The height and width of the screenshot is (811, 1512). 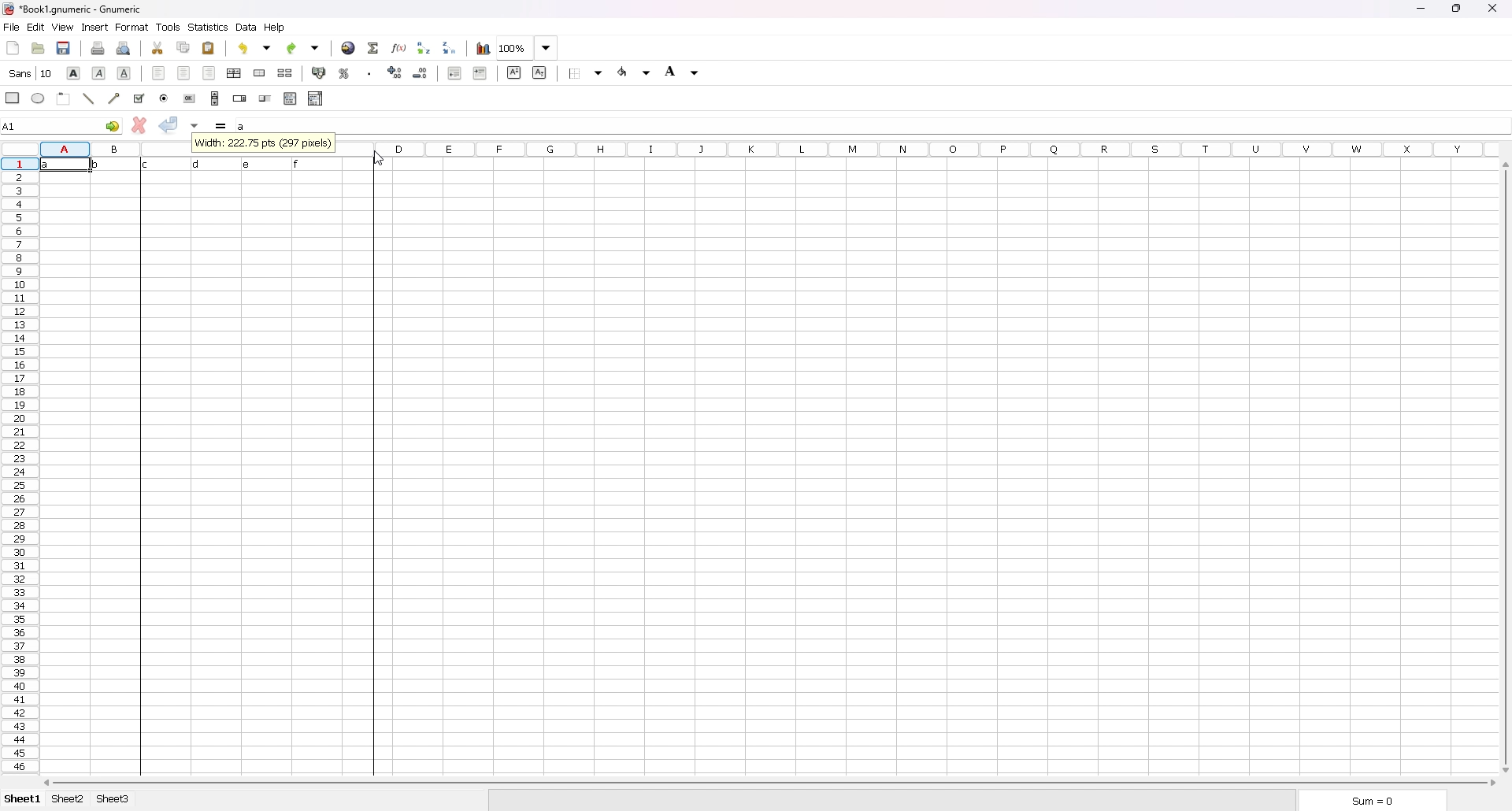 What do you see at coordinates (234, 74) in the screenshot?
I see `centre horizontally` at bounding box center [234, 74].